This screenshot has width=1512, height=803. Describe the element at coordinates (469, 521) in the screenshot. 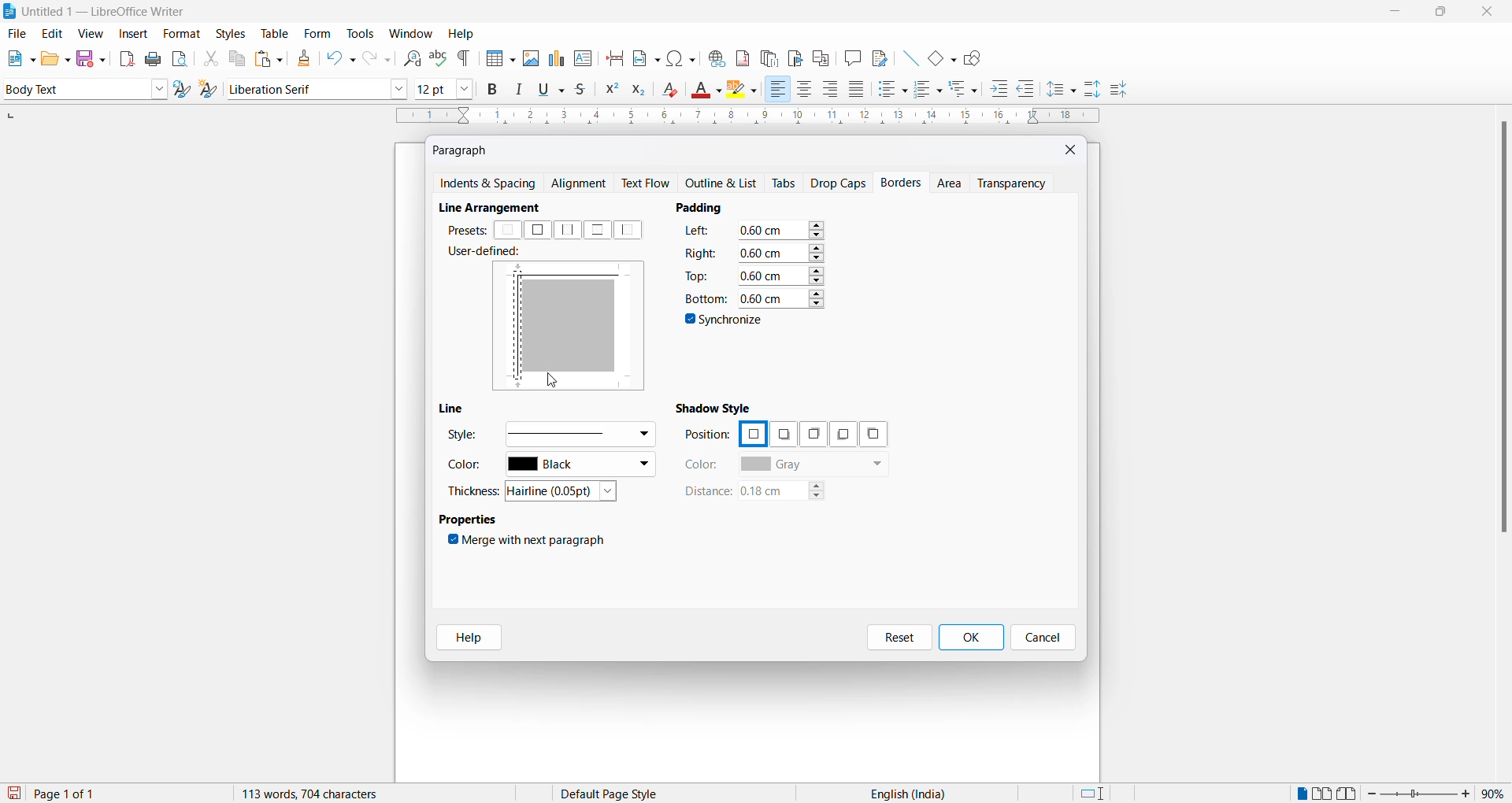

I see `properties options` at that location.